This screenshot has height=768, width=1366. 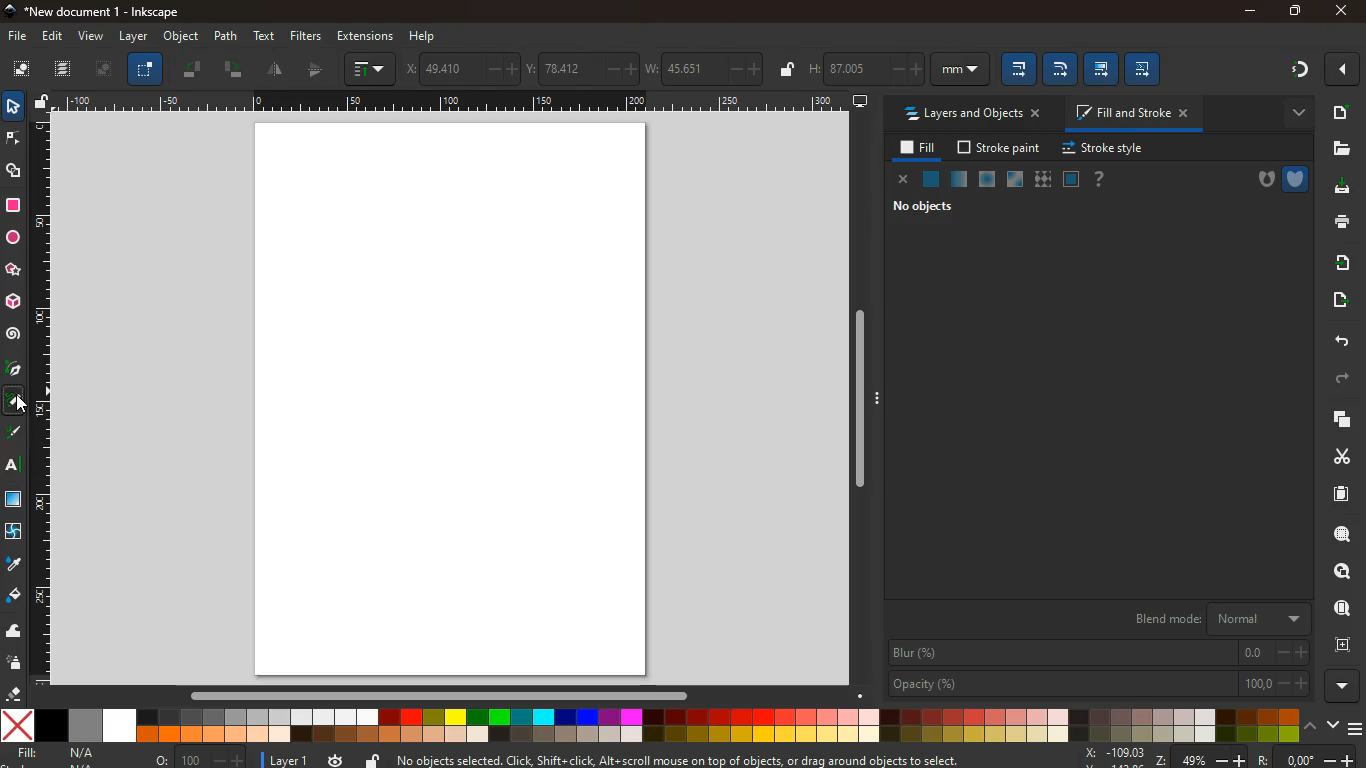 What do you see at coordinates (1338, 300) in the screenshot?
I see `send` at bounding box center [1338, 300].